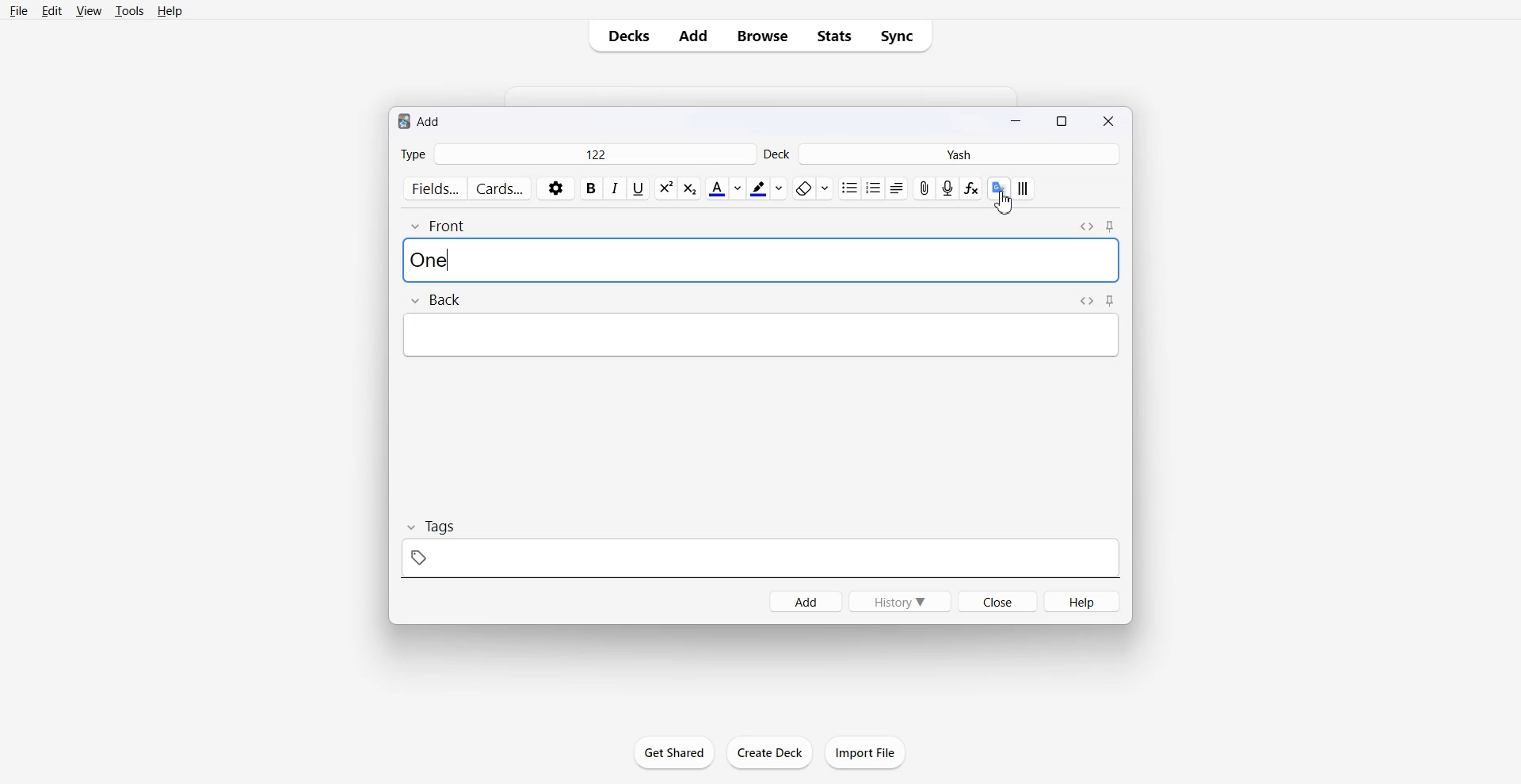 This screenshot has width=1521, height=784. I want to click on Underline, so click(639, 188).